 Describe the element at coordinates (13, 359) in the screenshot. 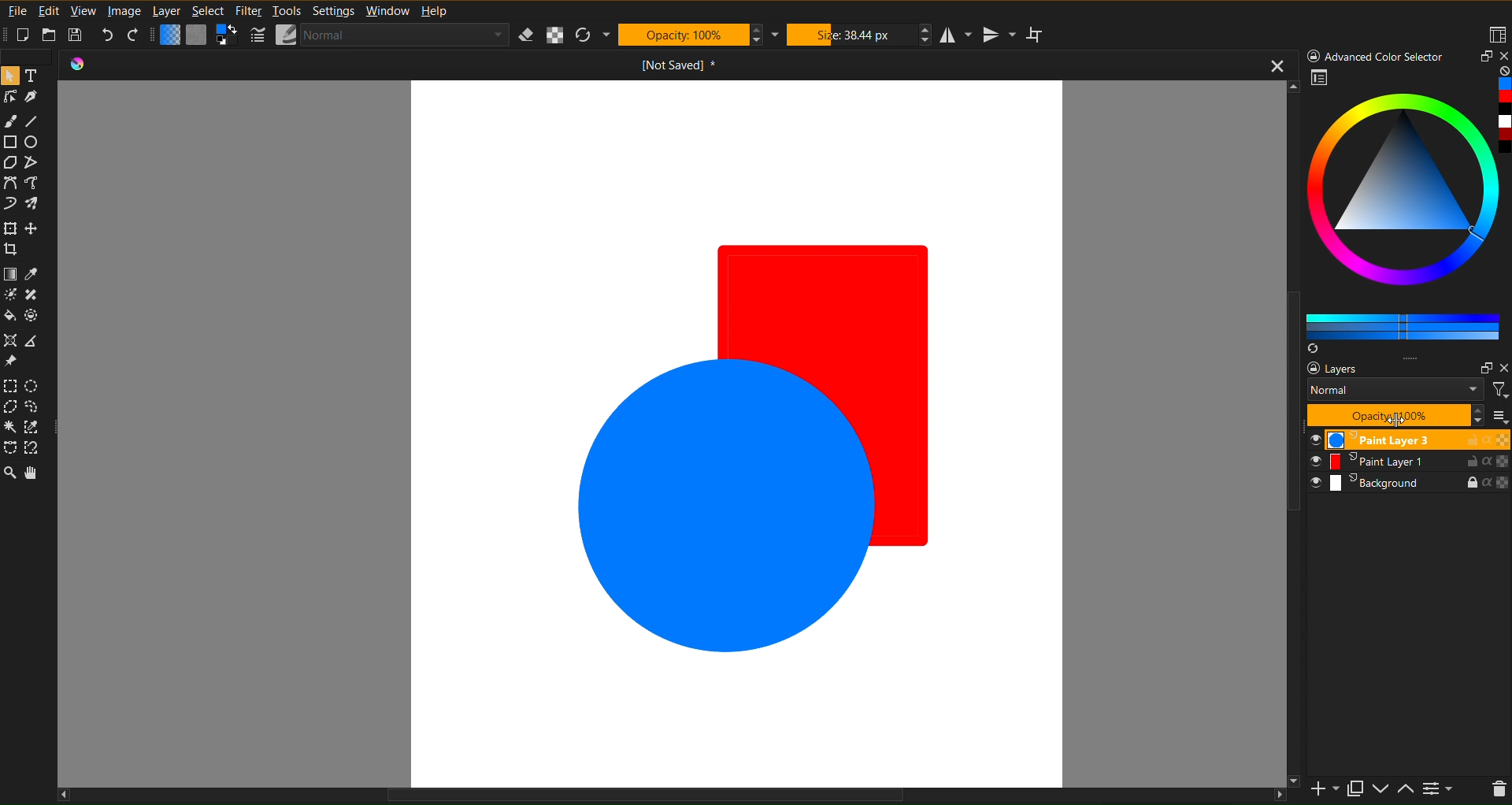

I see `Reference Tool` at that location.